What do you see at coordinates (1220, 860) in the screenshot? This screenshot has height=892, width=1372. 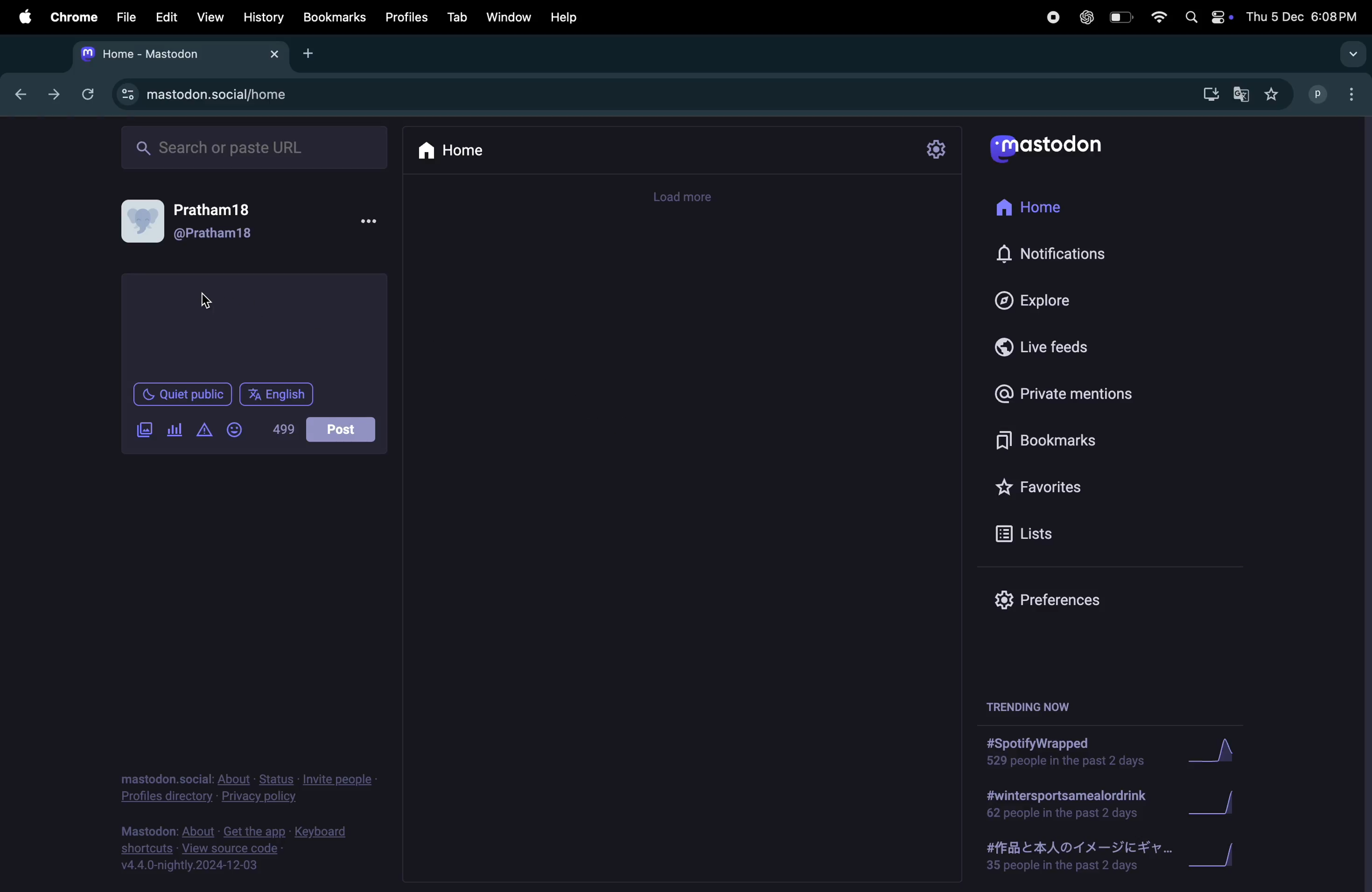 I see `graph` at bounding box center [1220, 860].